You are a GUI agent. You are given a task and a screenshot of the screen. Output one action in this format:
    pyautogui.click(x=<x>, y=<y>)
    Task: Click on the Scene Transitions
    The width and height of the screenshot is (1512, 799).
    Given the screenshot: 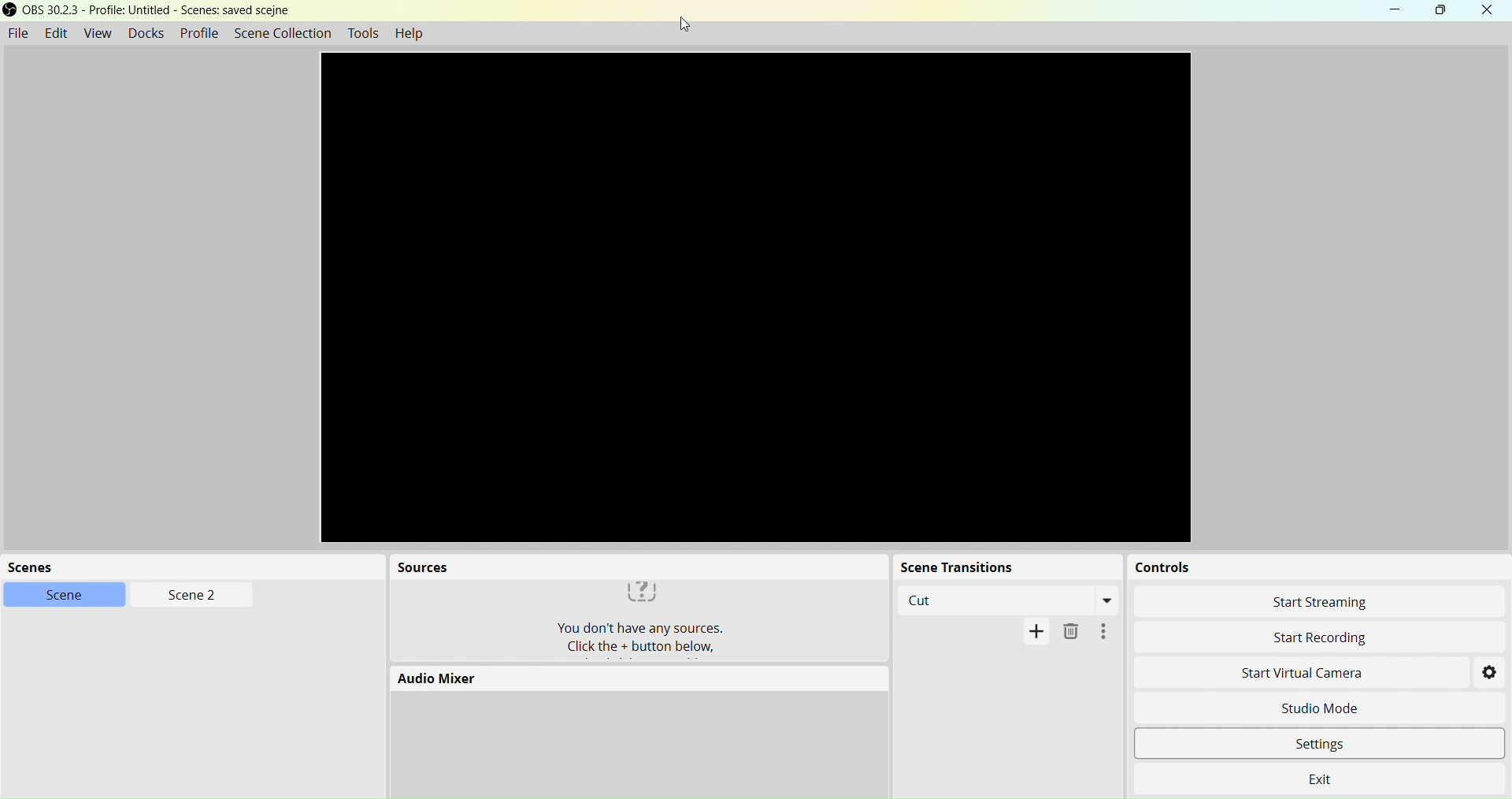 What is the action you would take?
    pyautogui.click(x=1002, y=568)
    